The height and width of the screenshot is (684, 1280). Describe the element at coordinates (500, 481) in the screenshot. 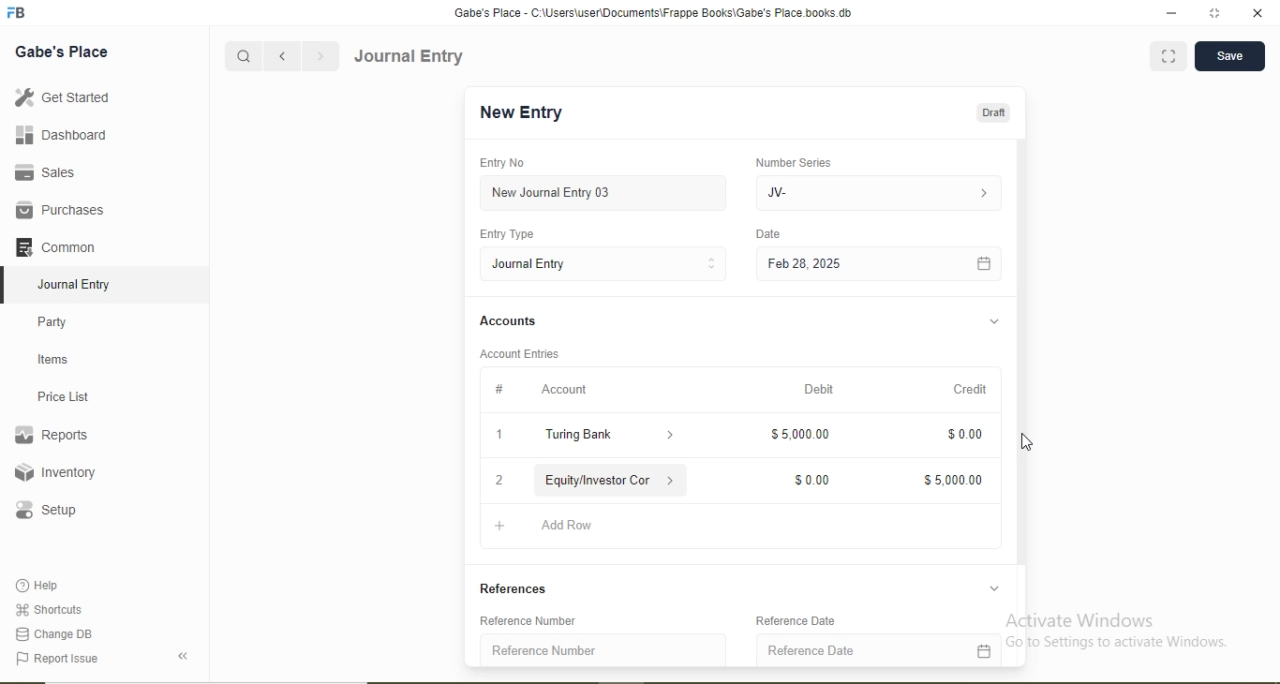

I see `2` at that location.